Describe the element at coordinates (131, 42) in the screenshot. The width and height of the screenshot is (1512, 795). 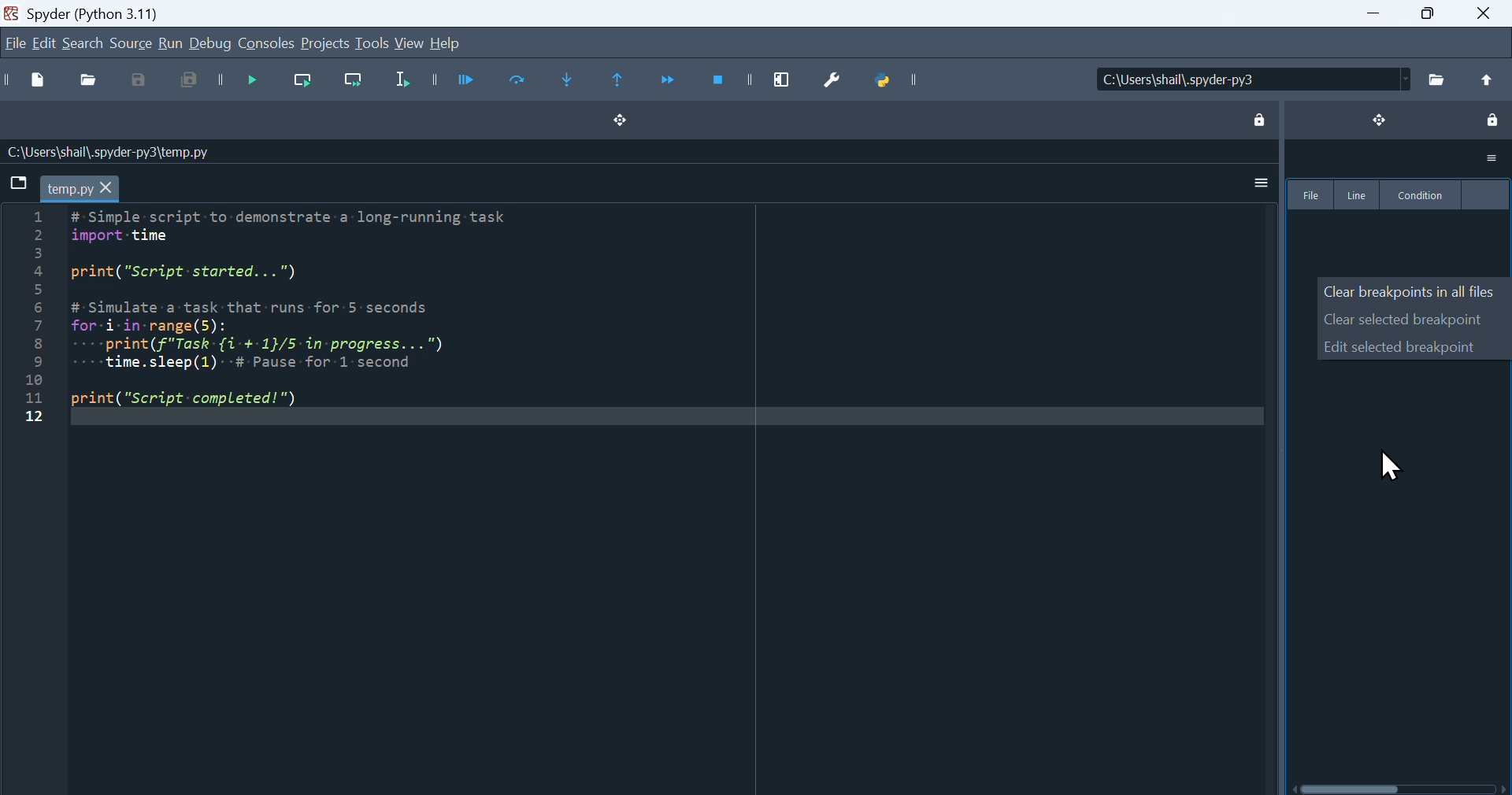
I see `Source` at that location.